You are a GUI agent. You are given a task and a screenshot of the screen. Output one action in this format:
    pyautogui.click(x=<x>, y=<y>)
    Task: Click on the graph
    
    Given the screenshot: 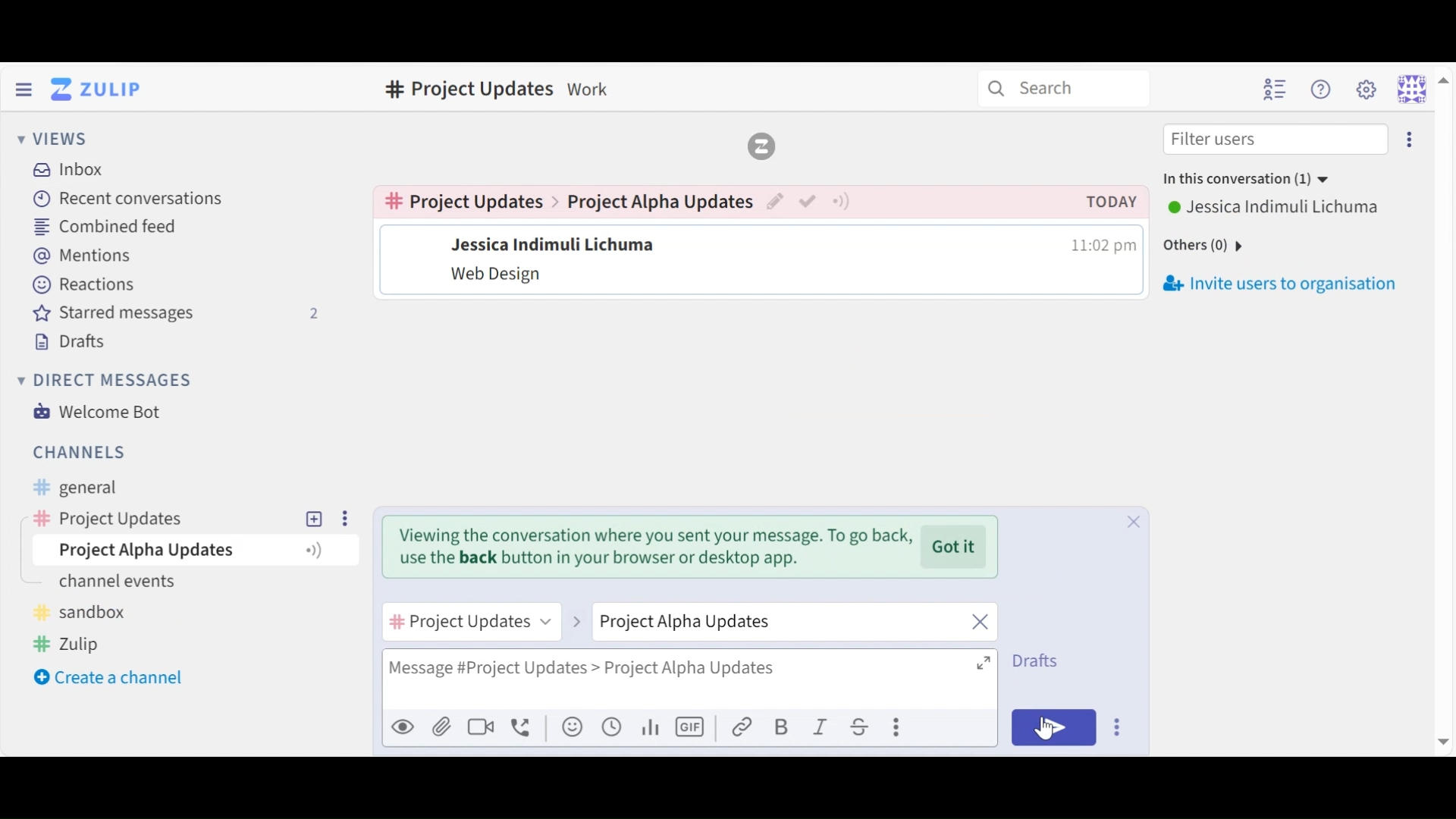 What is the action you would take?
    pyautogui.click(x=653, y=727)
    